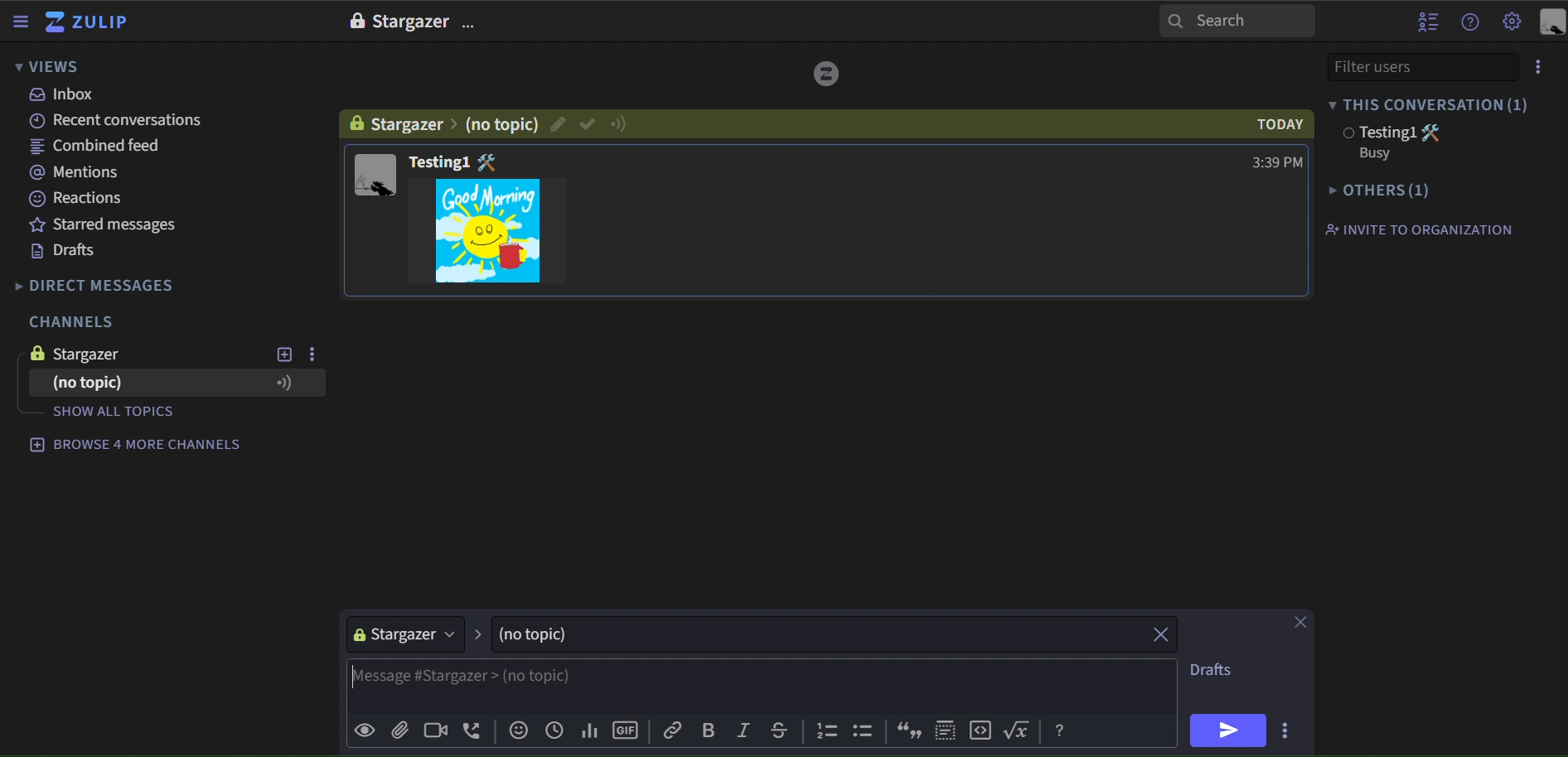 This screenshot has width=1568, height=757. I want to click on Others (1), so click(1385, 191).